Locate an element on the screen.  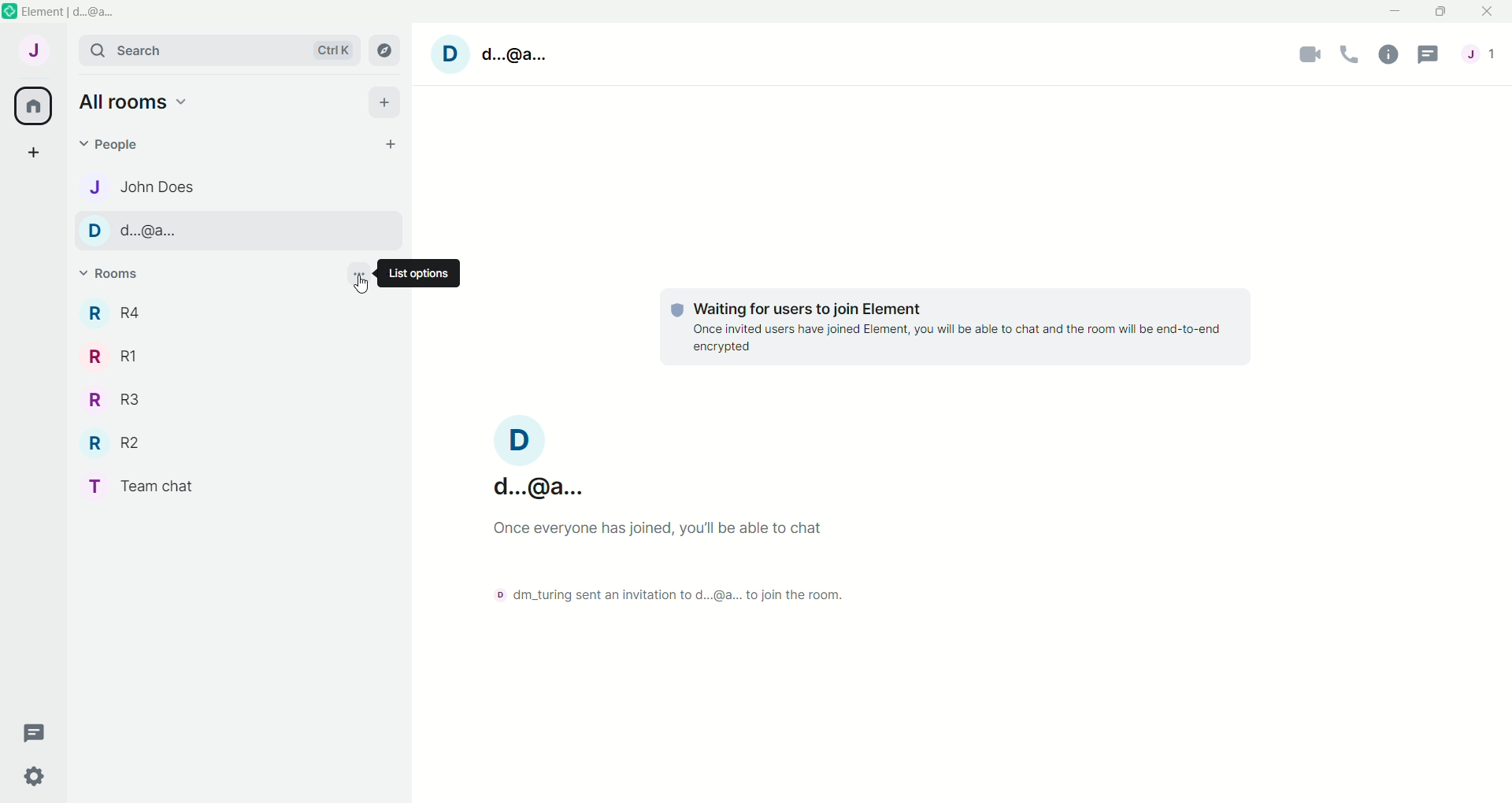
Room Info is located at coordinates (1391, 53).